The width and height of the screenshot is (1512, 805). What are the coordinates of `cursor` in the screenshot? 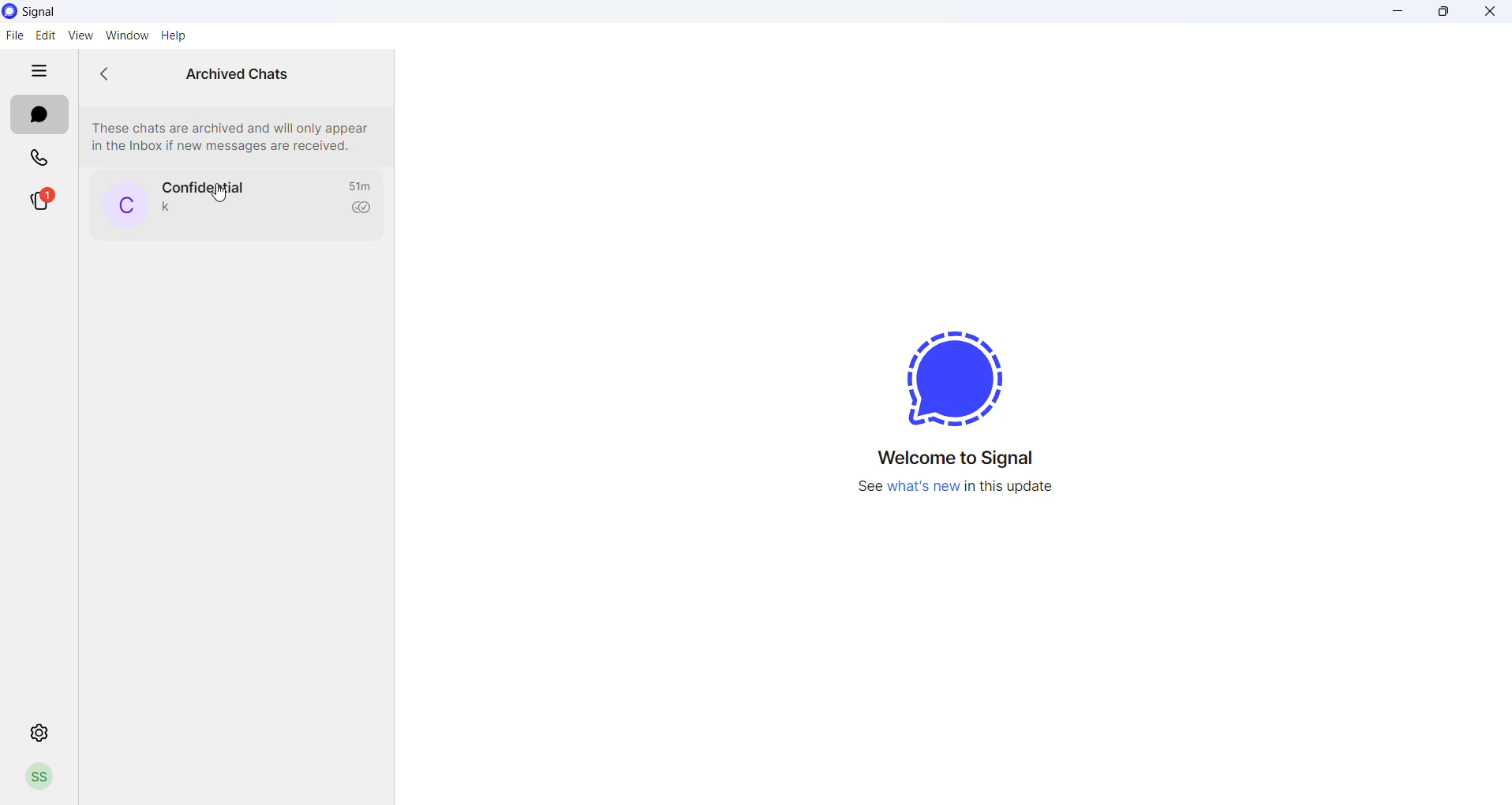 It's located at (218, 197).